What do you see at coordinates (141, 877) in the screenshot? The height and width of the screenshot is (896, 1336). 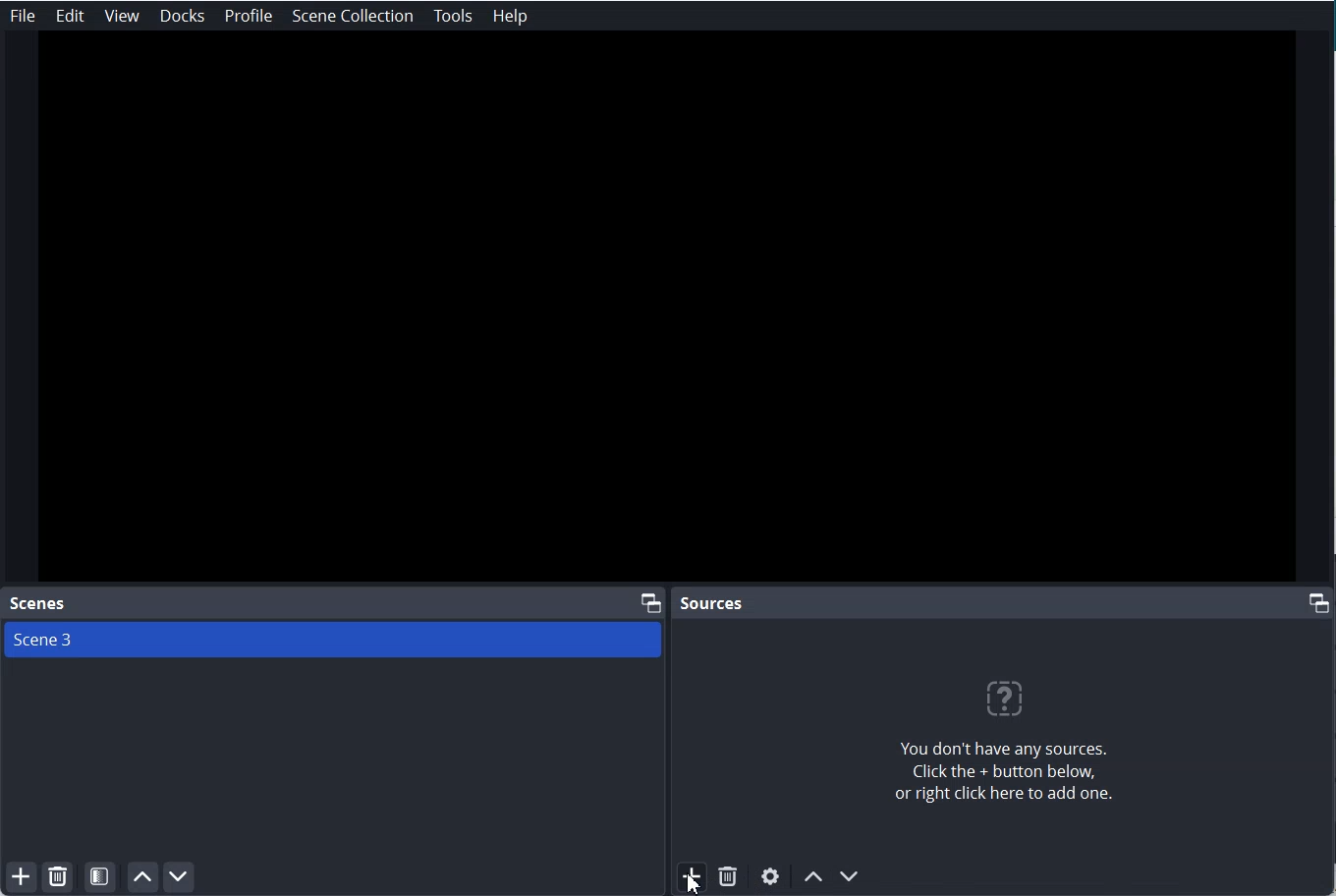 I see `Move scene up` at bounding box center [141, 877].